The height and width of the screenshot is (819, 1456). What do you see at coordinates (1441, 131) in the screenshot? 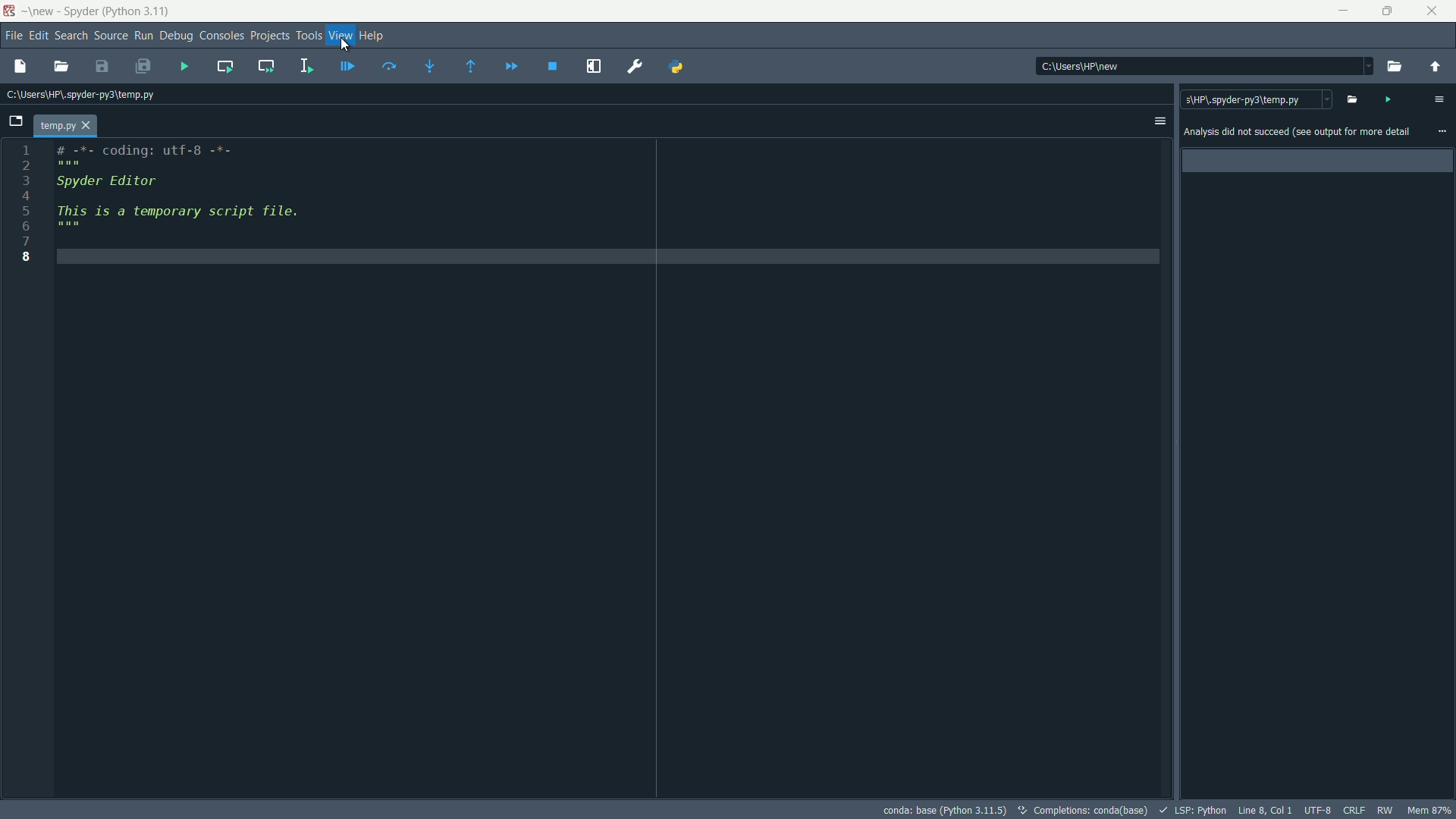
I see `more options` at bounding box center [1441, 131].